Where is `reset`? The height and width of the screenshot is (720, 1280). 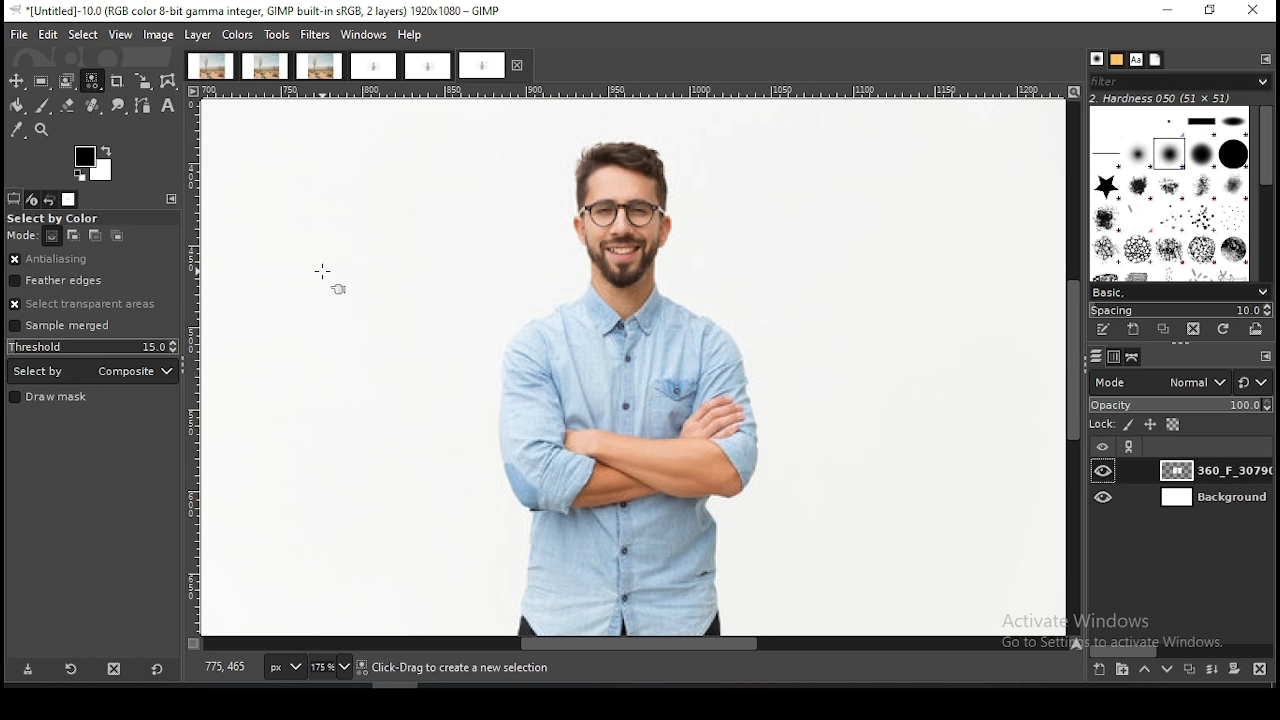 reset is located at coordinates (1254, 381).